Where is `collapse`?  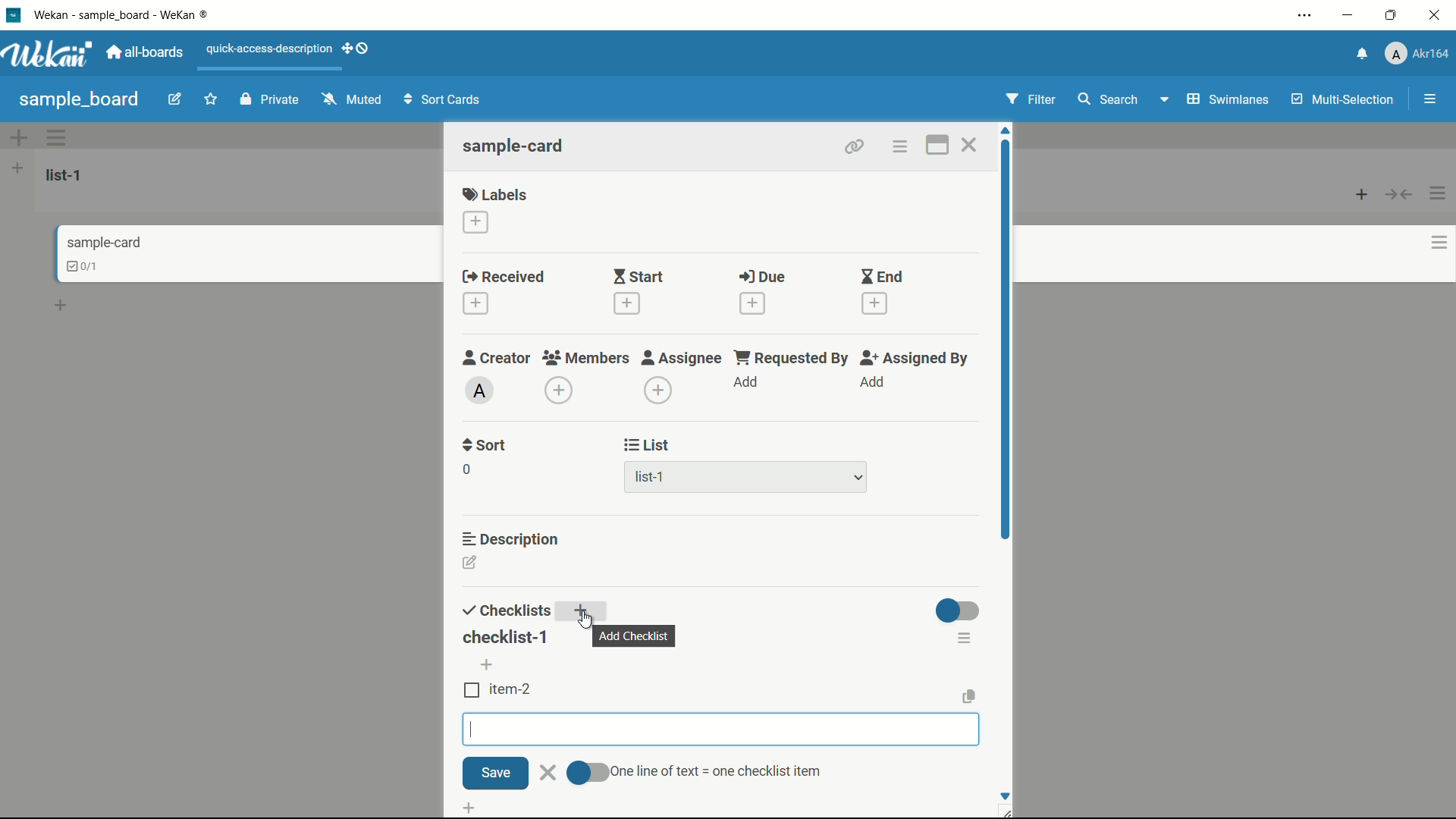
collapse is located at coordinates (1400, 194).